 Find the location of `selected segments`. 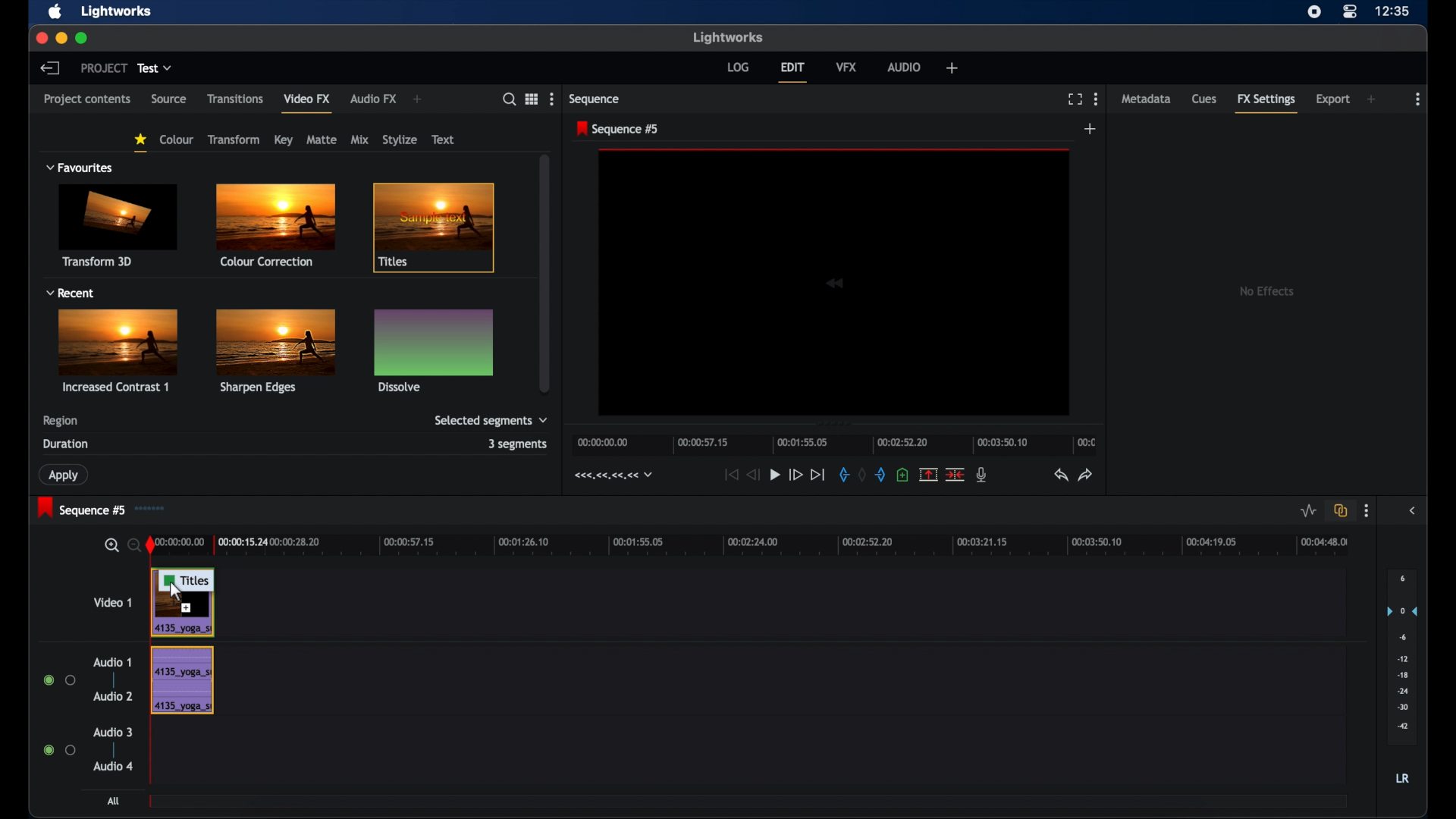

selected segments is located at coordinates (491, 421).